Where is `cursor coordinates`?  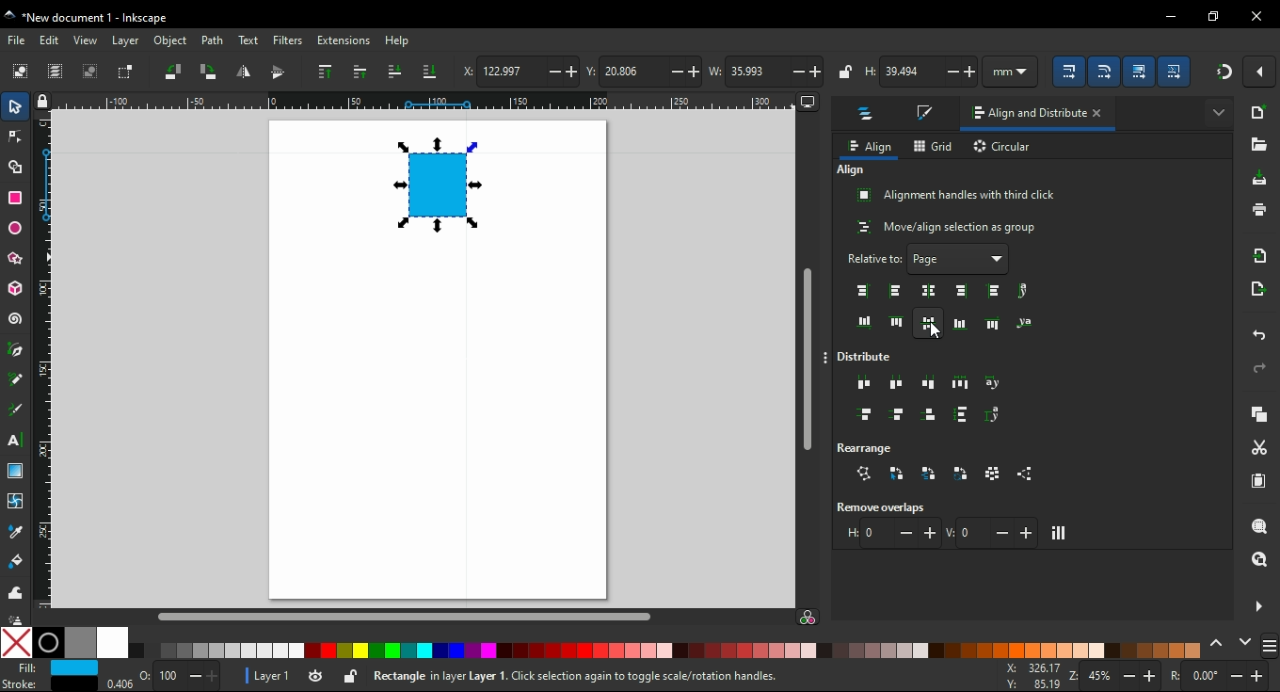 cursor coordinates is located at coordinates (1030, 675).